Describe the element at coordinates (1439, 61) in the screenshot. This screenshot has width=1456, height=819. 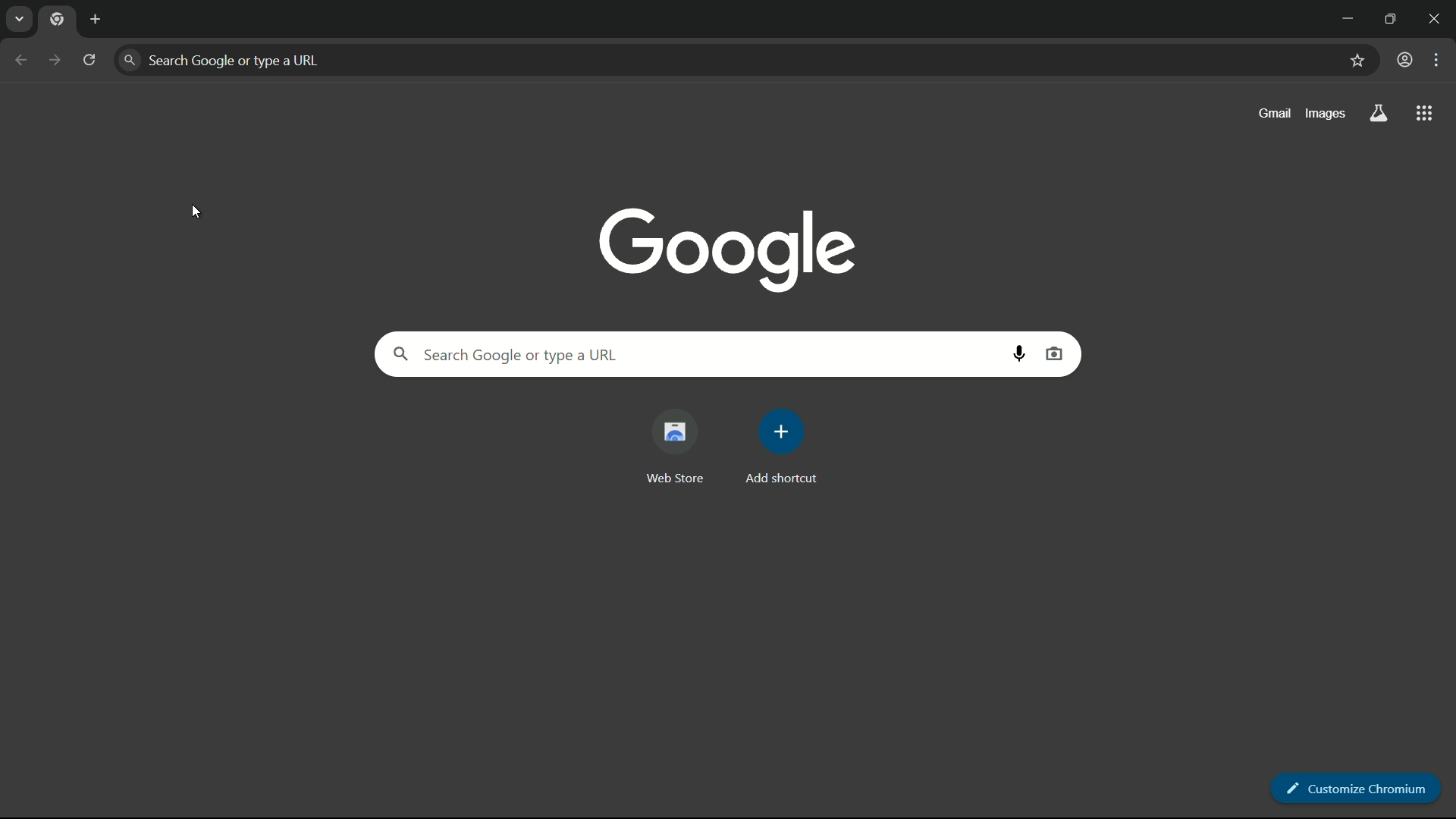
I see `customize` at that location.